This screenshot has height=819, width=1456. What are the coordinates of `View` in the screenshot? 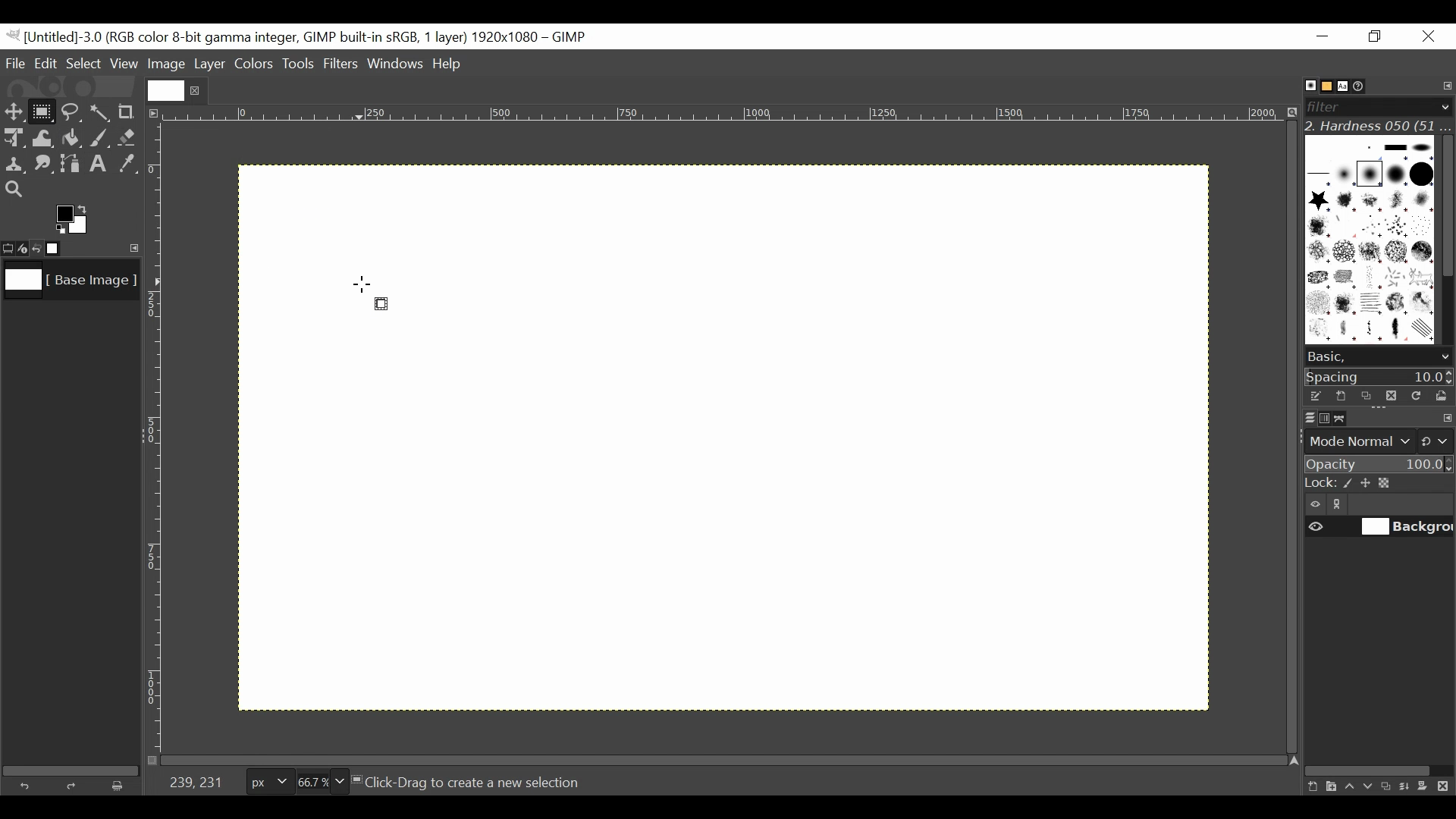 It's located at (124, 64).